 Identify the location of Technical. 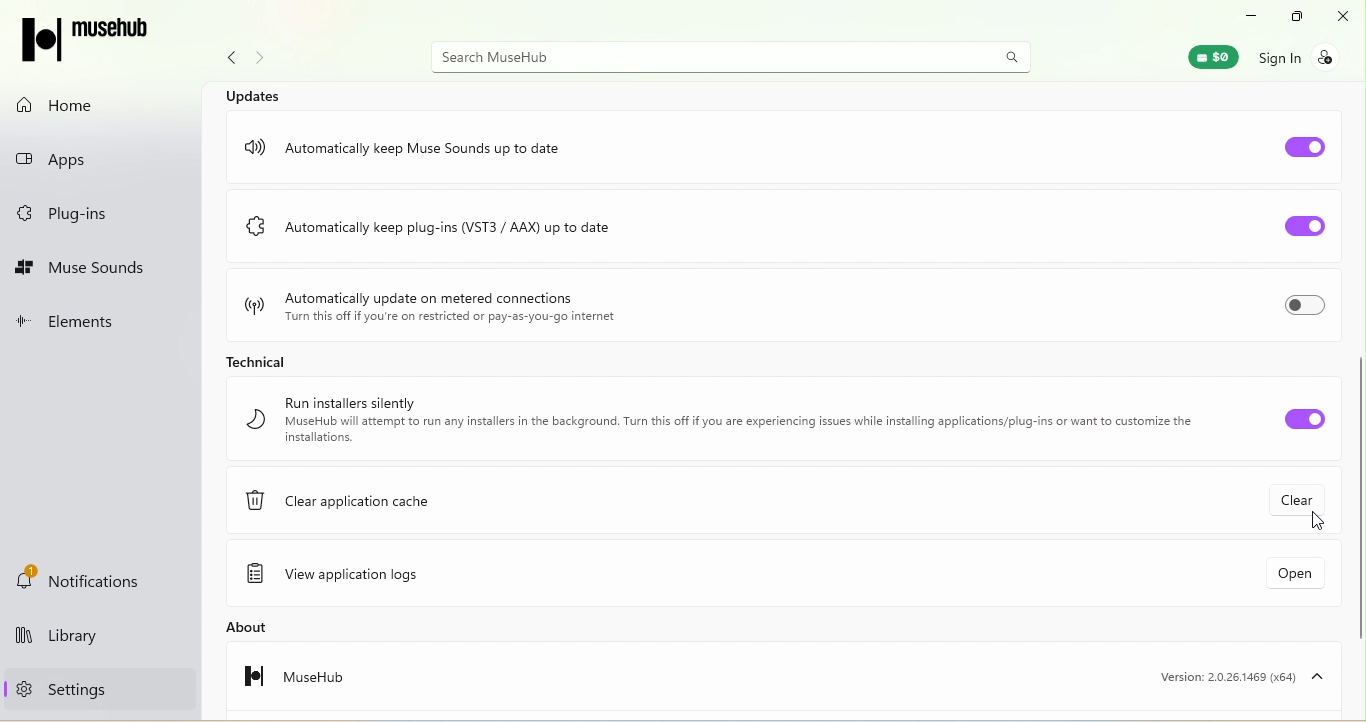
(252, 359).